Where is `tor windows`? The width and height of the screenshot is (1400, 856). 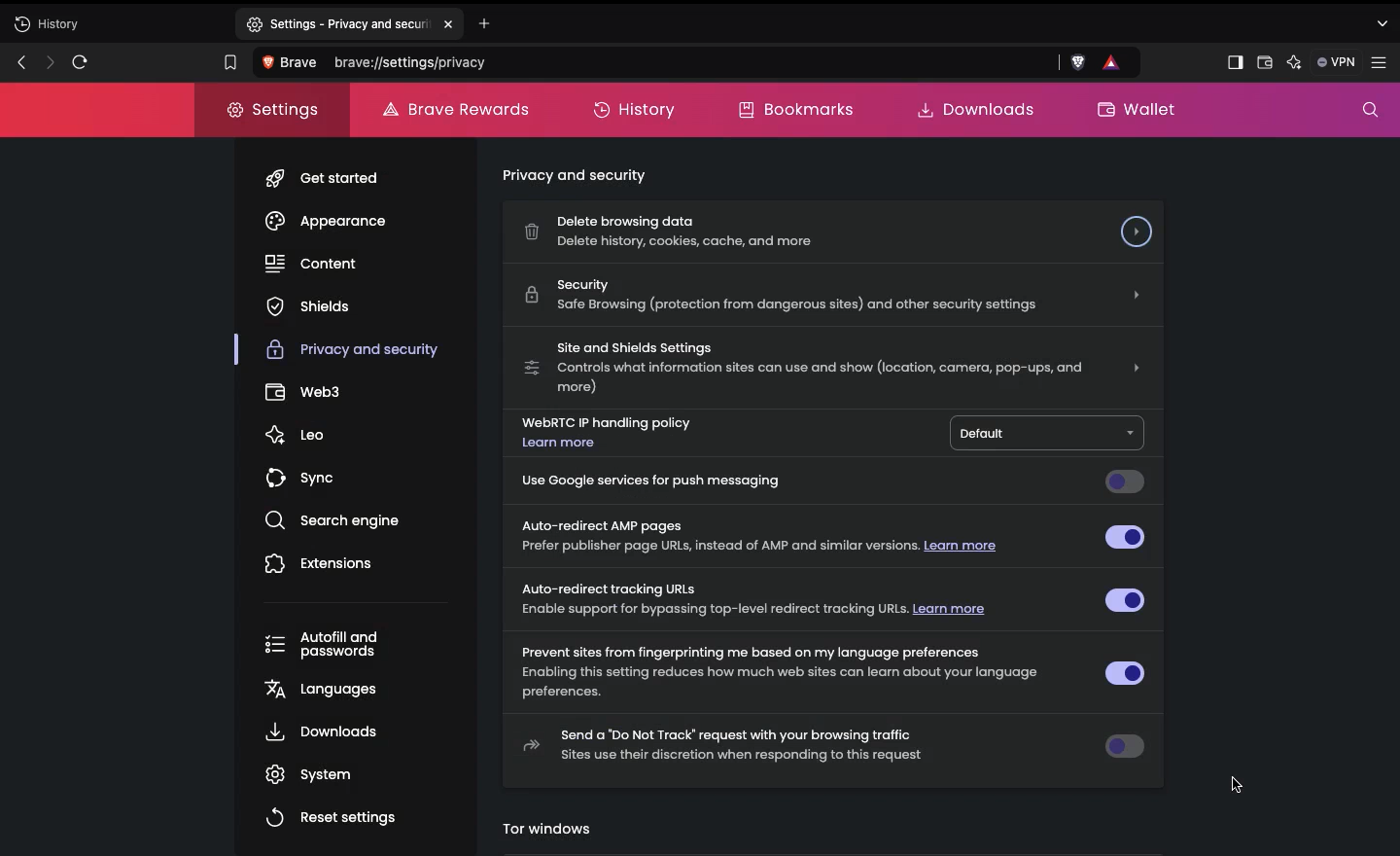
tor windows is located at coordinates (549, 831).